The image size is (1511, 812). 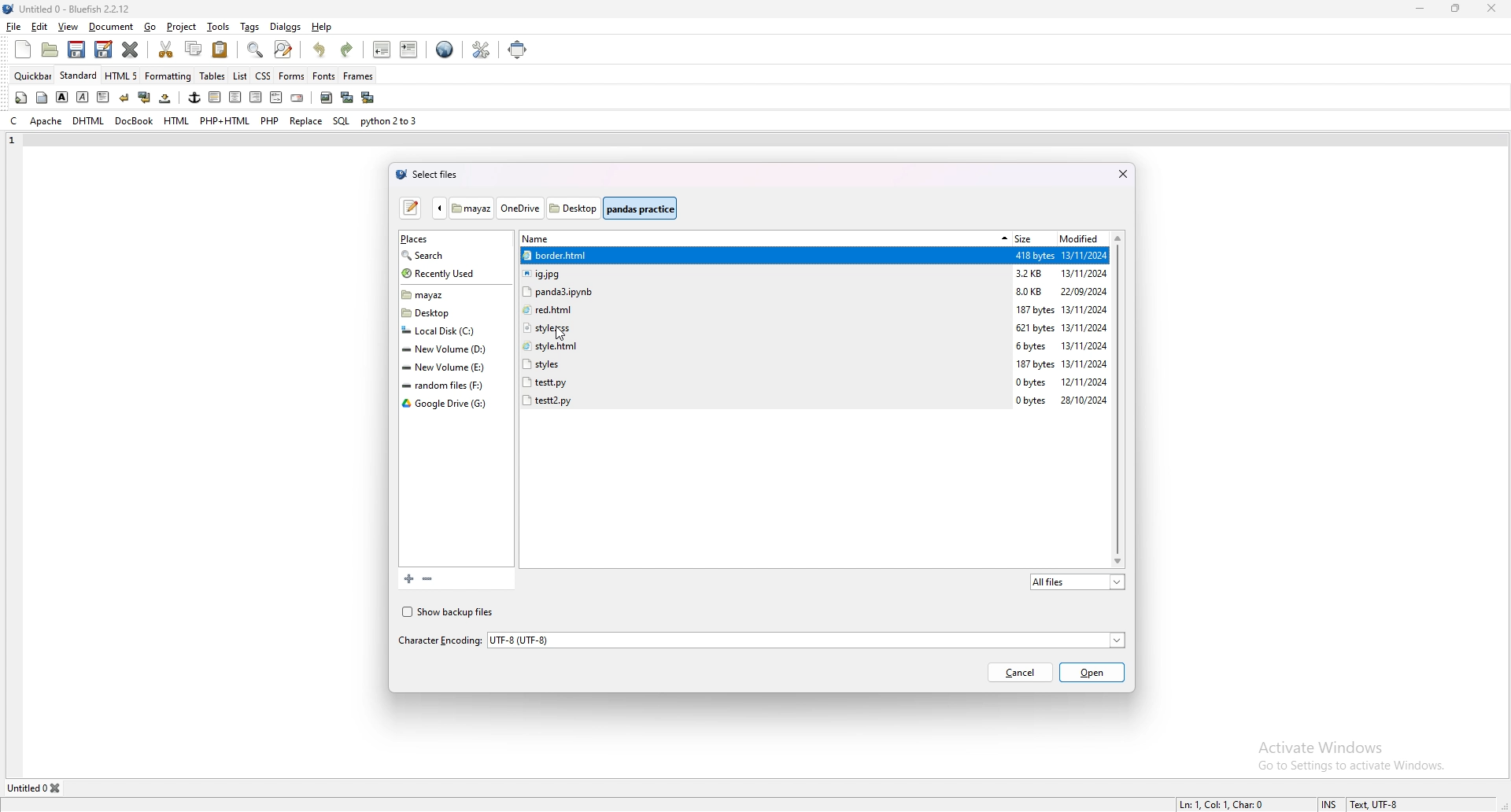 I want to click on Activate Windows, so click(x=1324, y=747).